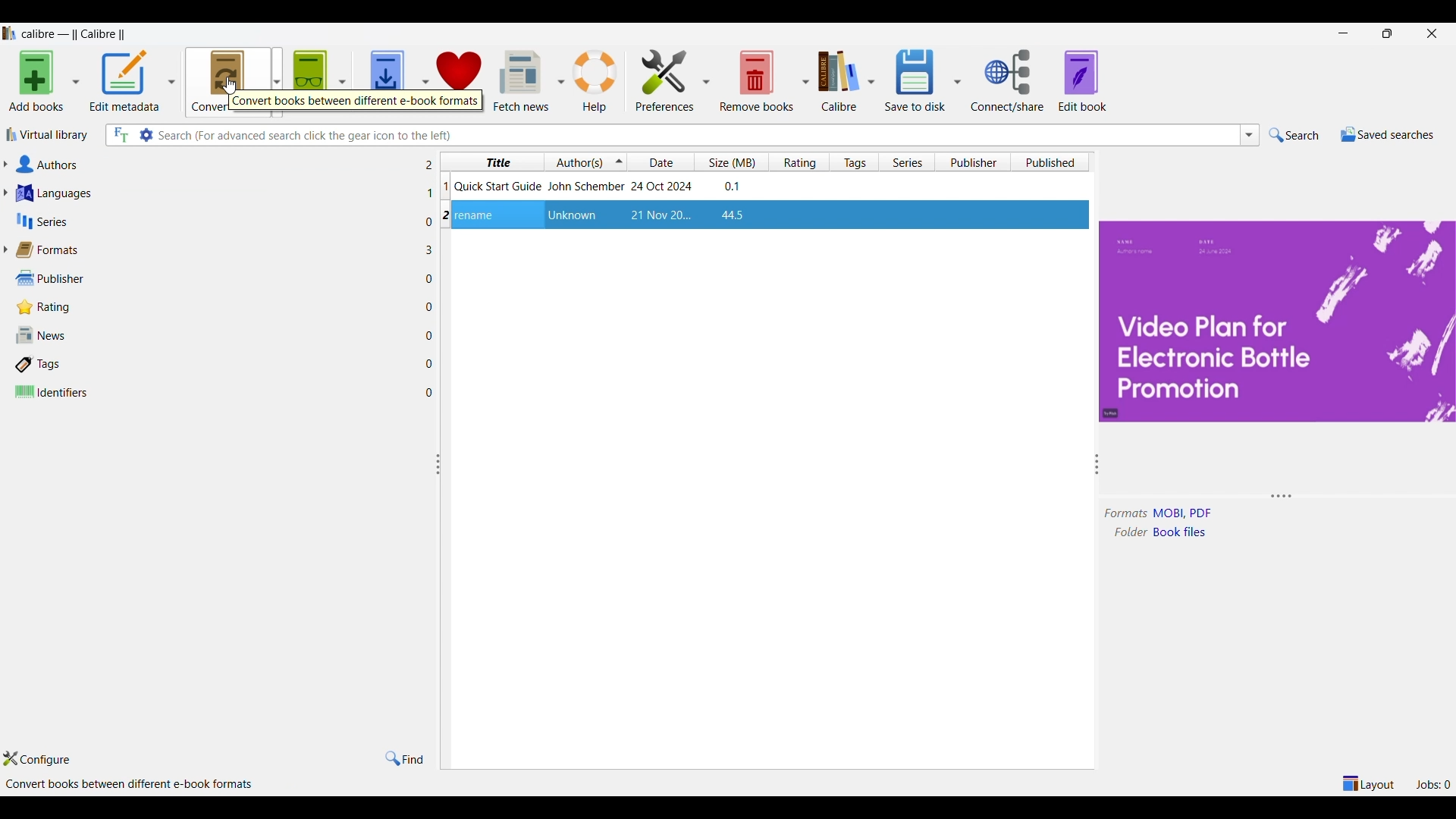  Describe the element at coordinates (1250, 135) in the screenshot. I see `Search list` at that location.